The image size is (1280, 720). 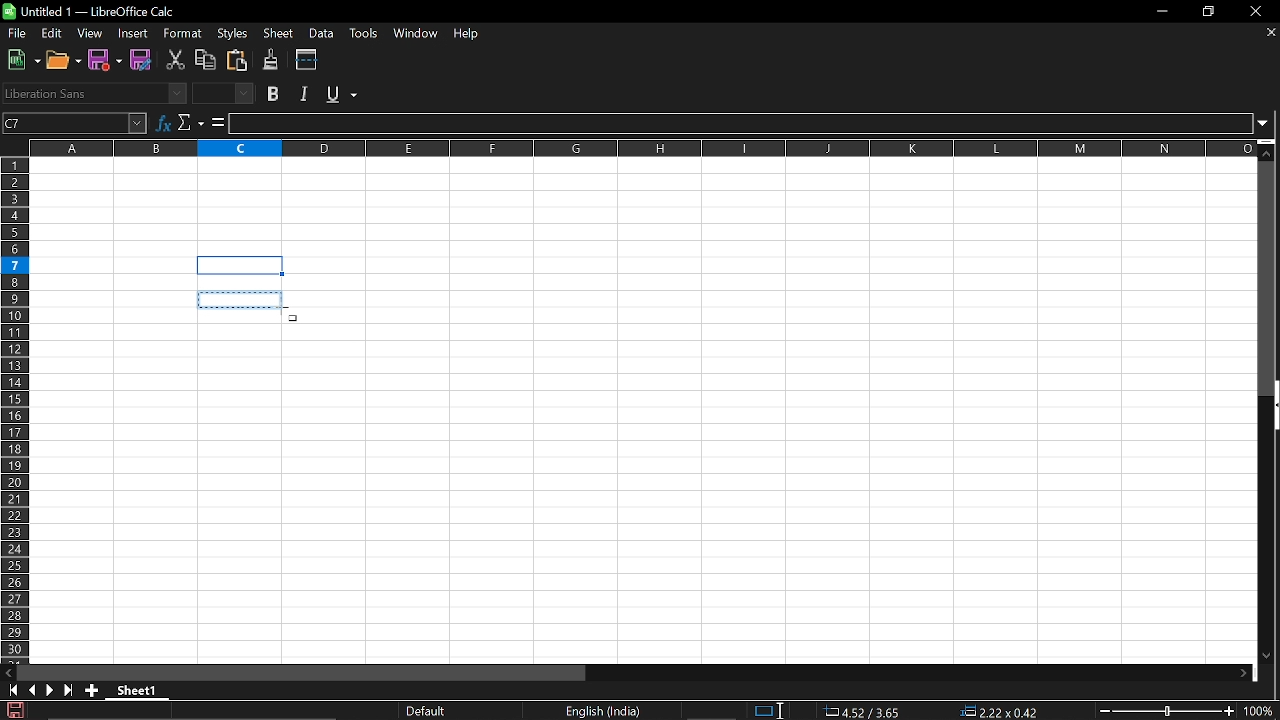 I want to click on Move down, so click(x=1269, y=149).